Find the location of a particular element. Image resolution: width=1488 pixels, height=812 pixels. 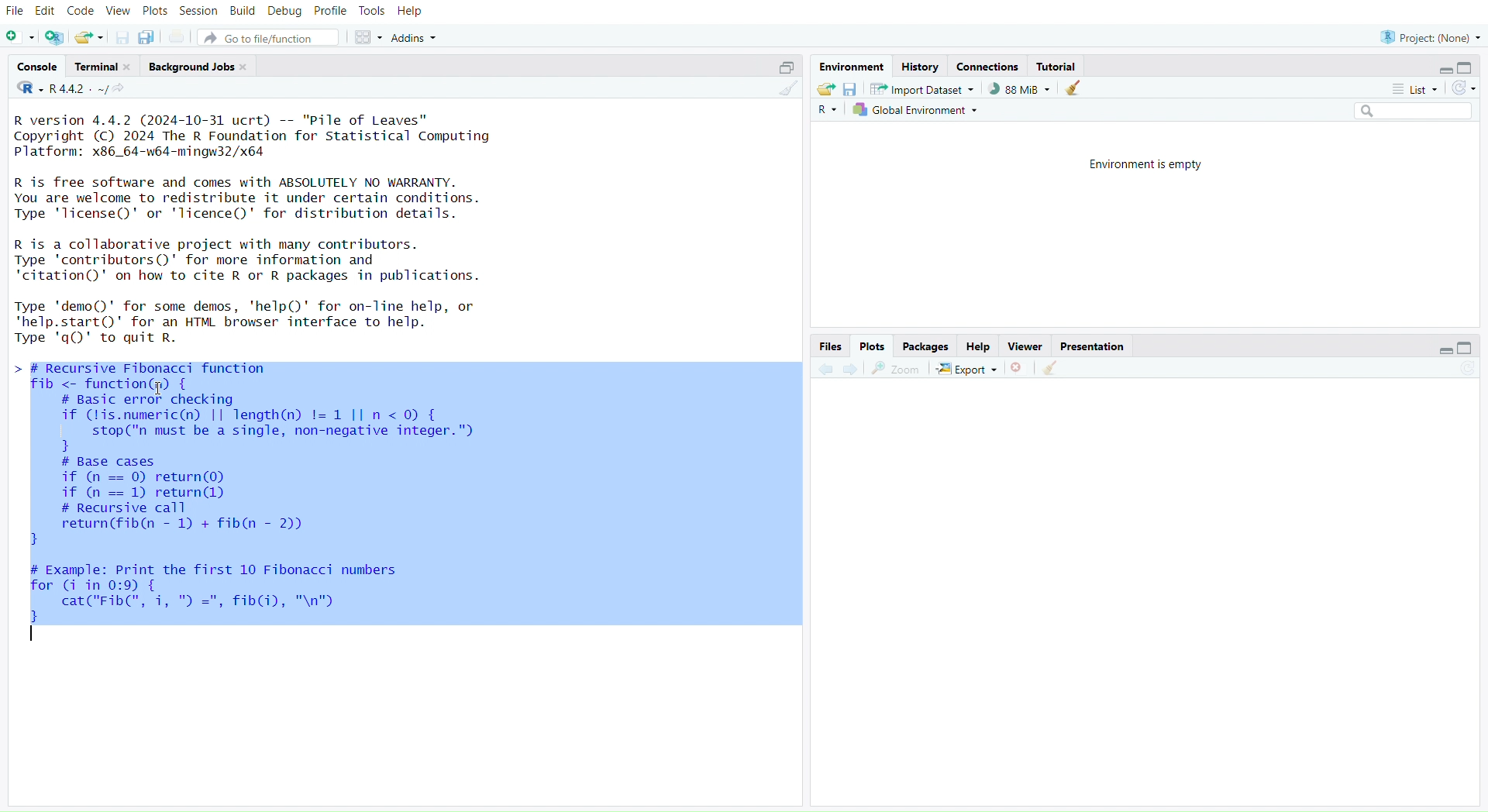

new script is located at coordinates (20, 39).